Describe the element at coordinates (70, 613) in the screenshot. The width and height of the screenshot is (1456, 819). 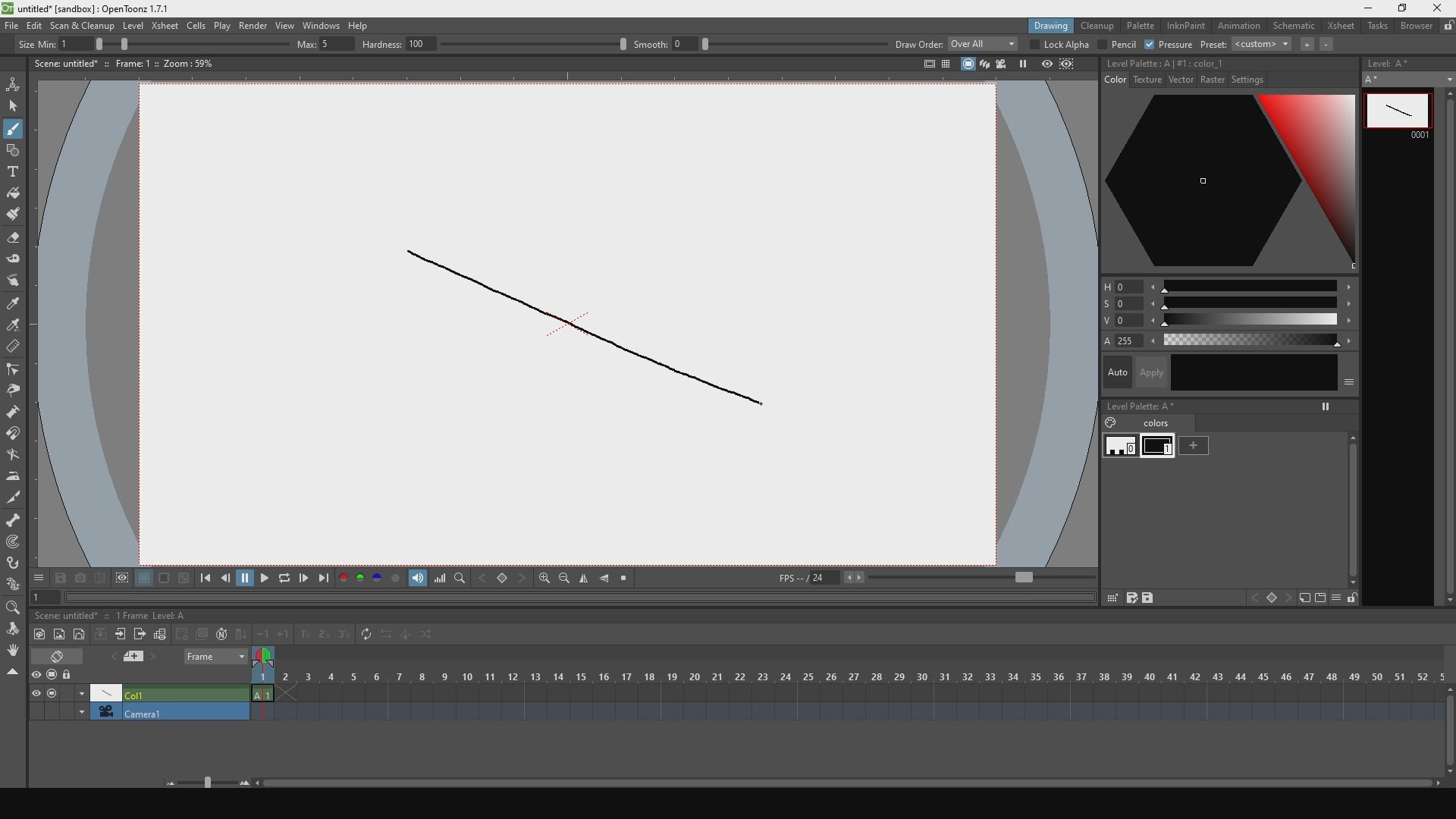
I see `scene untitled` at that location.